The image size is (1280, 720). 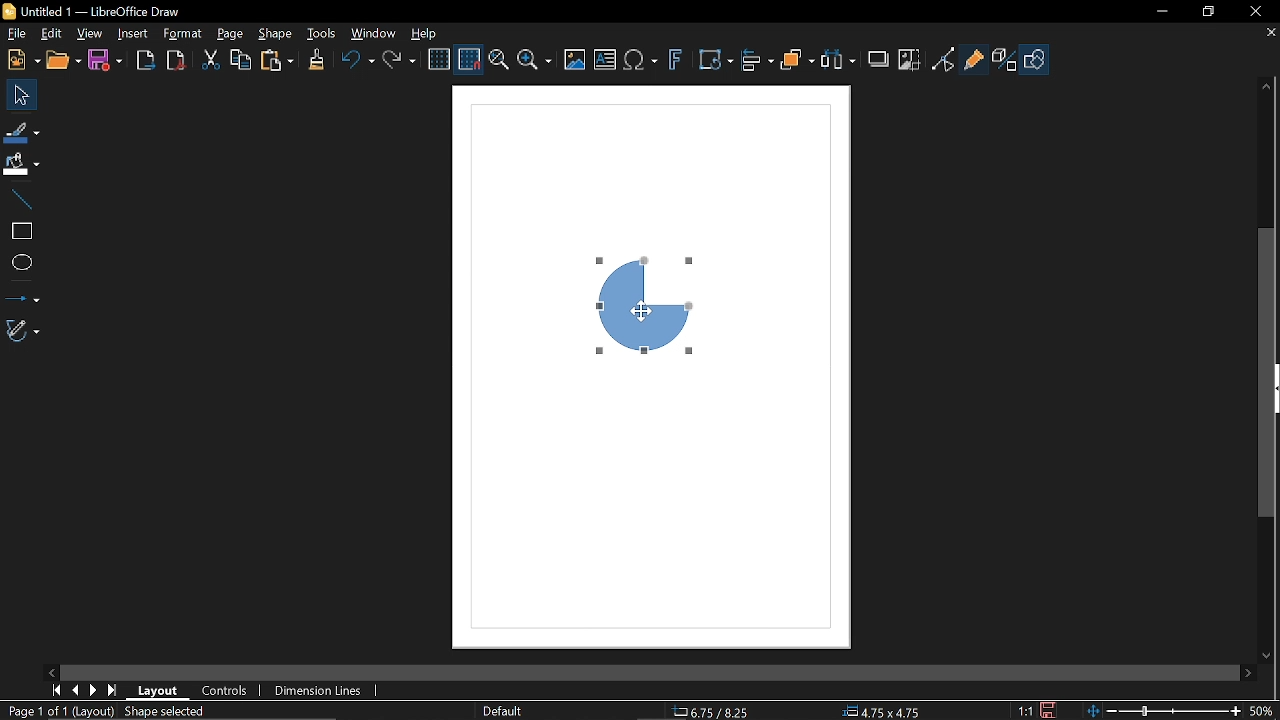 What do you see at coordinates (534, 62) in the screenshot?
I see `Zoom` at bounding box center [534, 62].